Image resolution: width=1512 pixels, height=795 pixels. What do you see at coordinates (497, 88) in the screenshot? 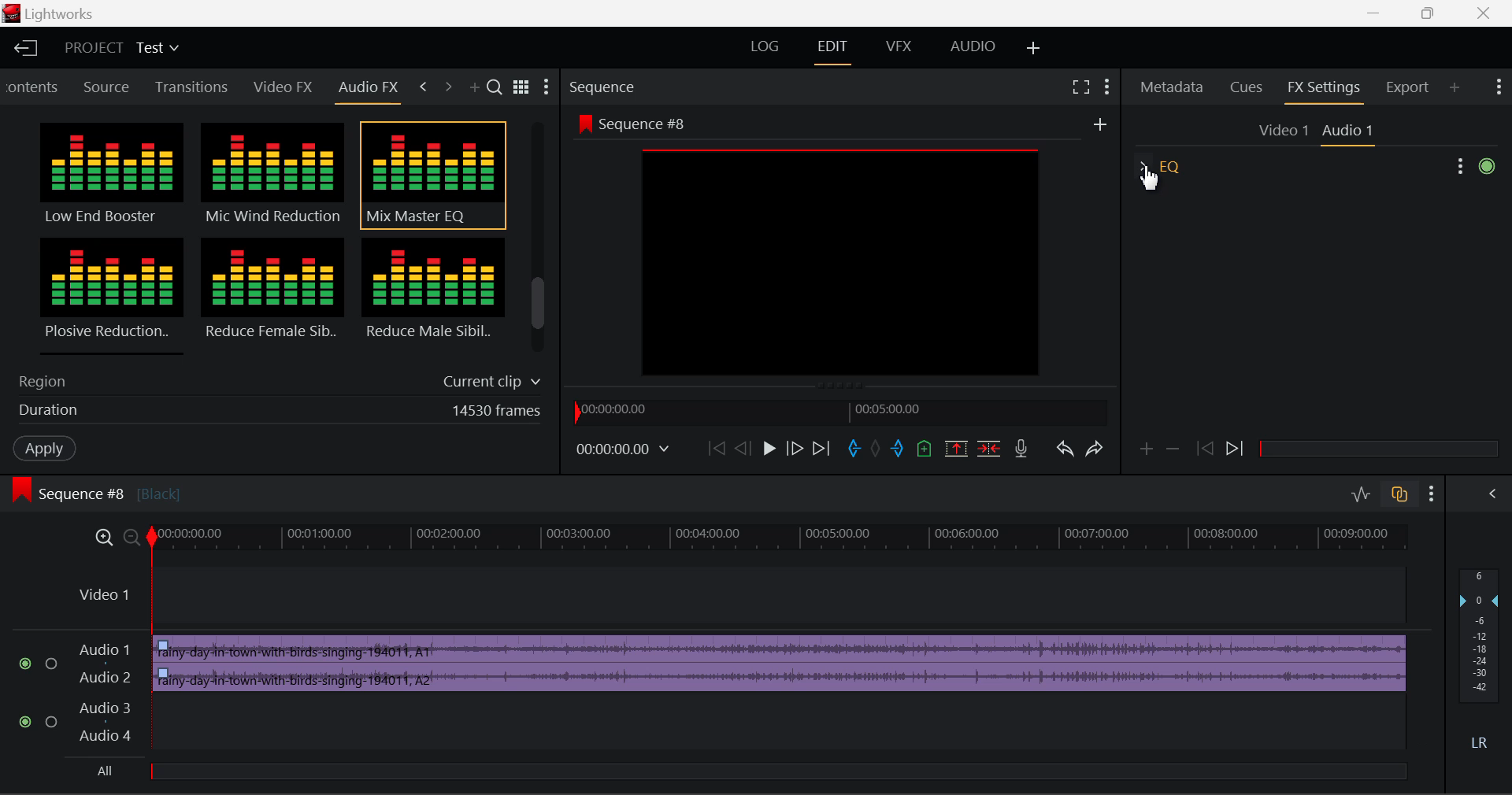
I see `Search` at bounding box center [497, 88].